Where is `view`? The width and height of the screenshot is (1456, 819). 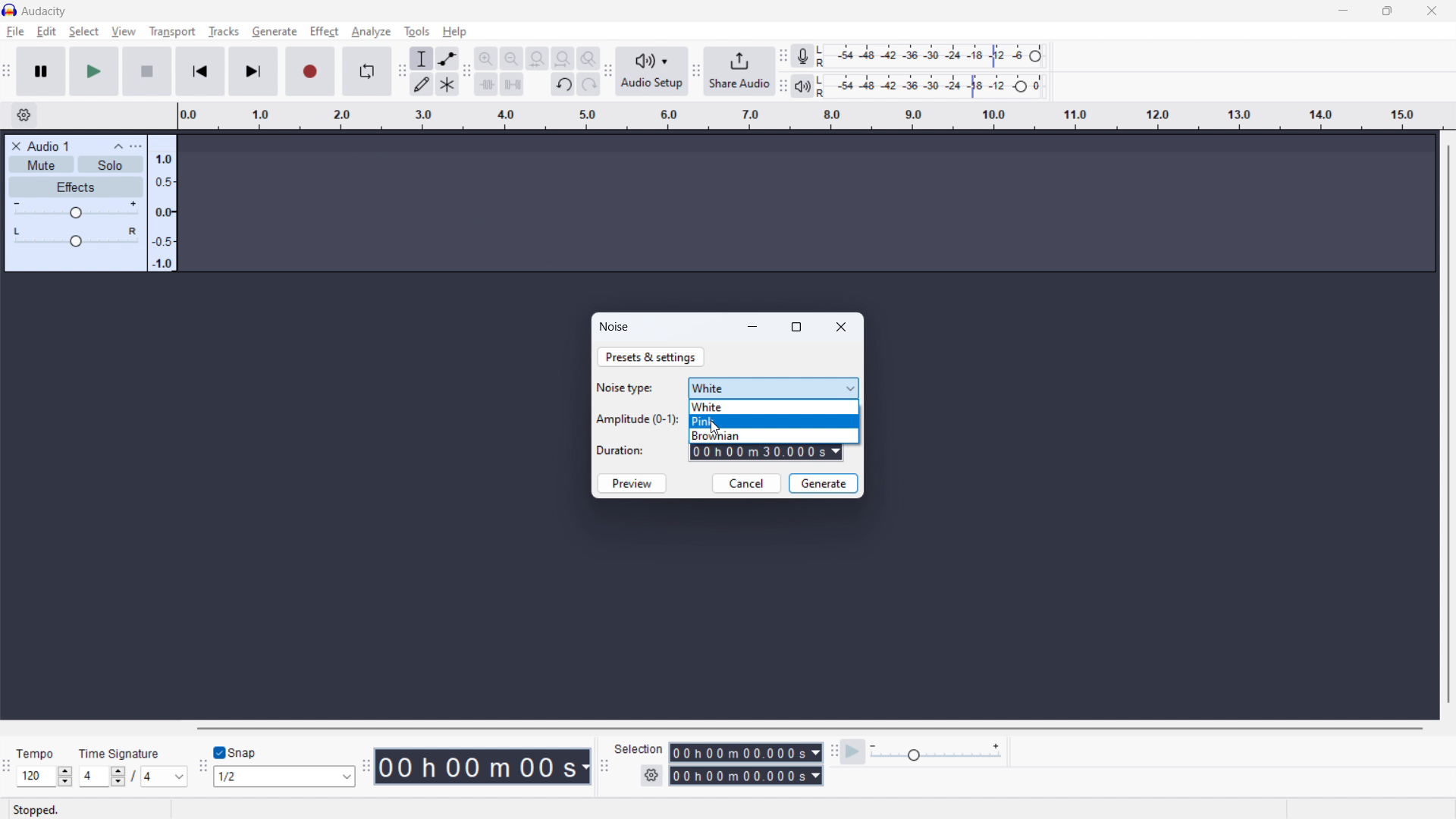 view is located at coordinates (124, 31).